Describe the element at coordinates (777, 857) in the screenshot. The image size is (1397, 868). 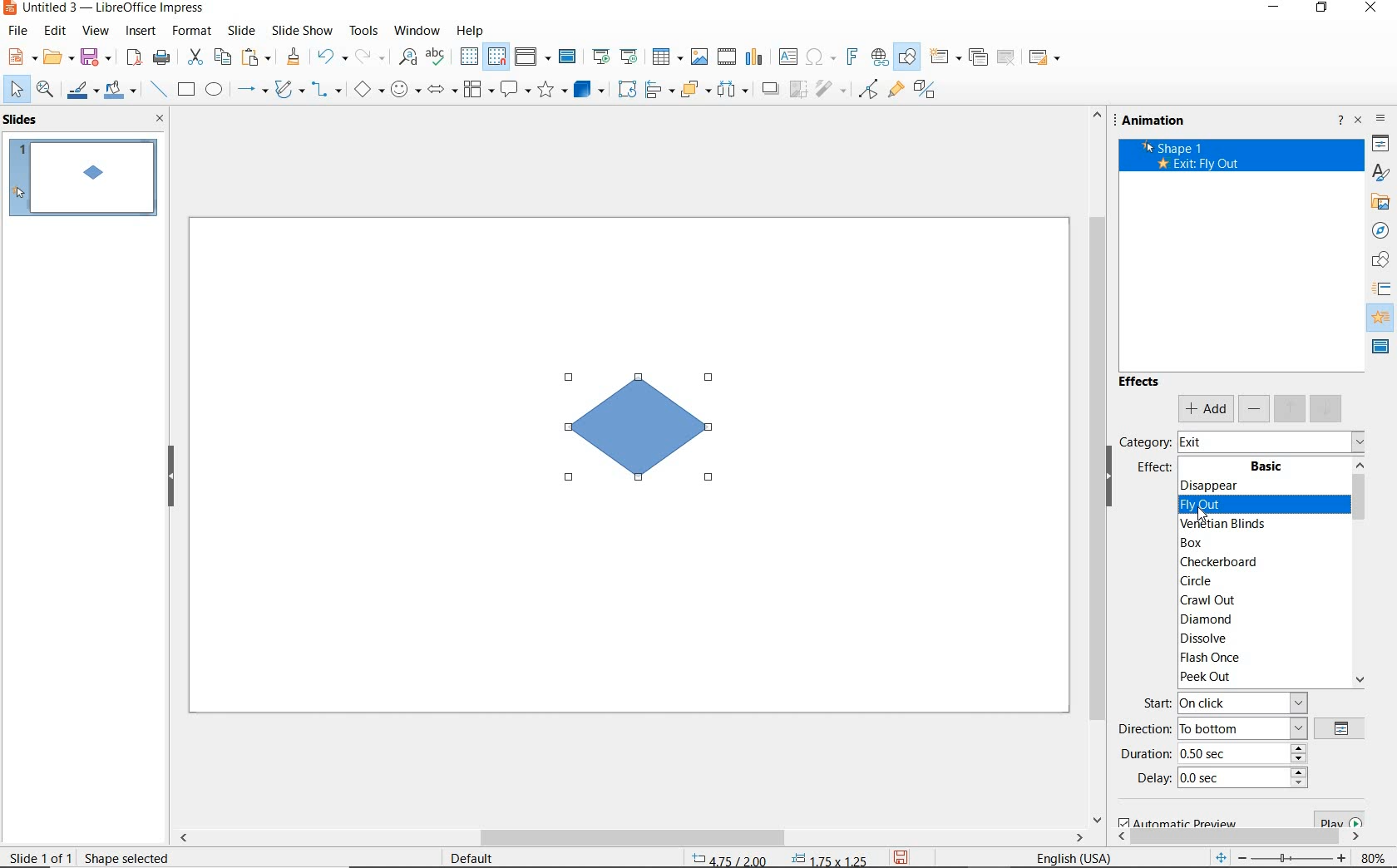
I see `position and size` at that location.